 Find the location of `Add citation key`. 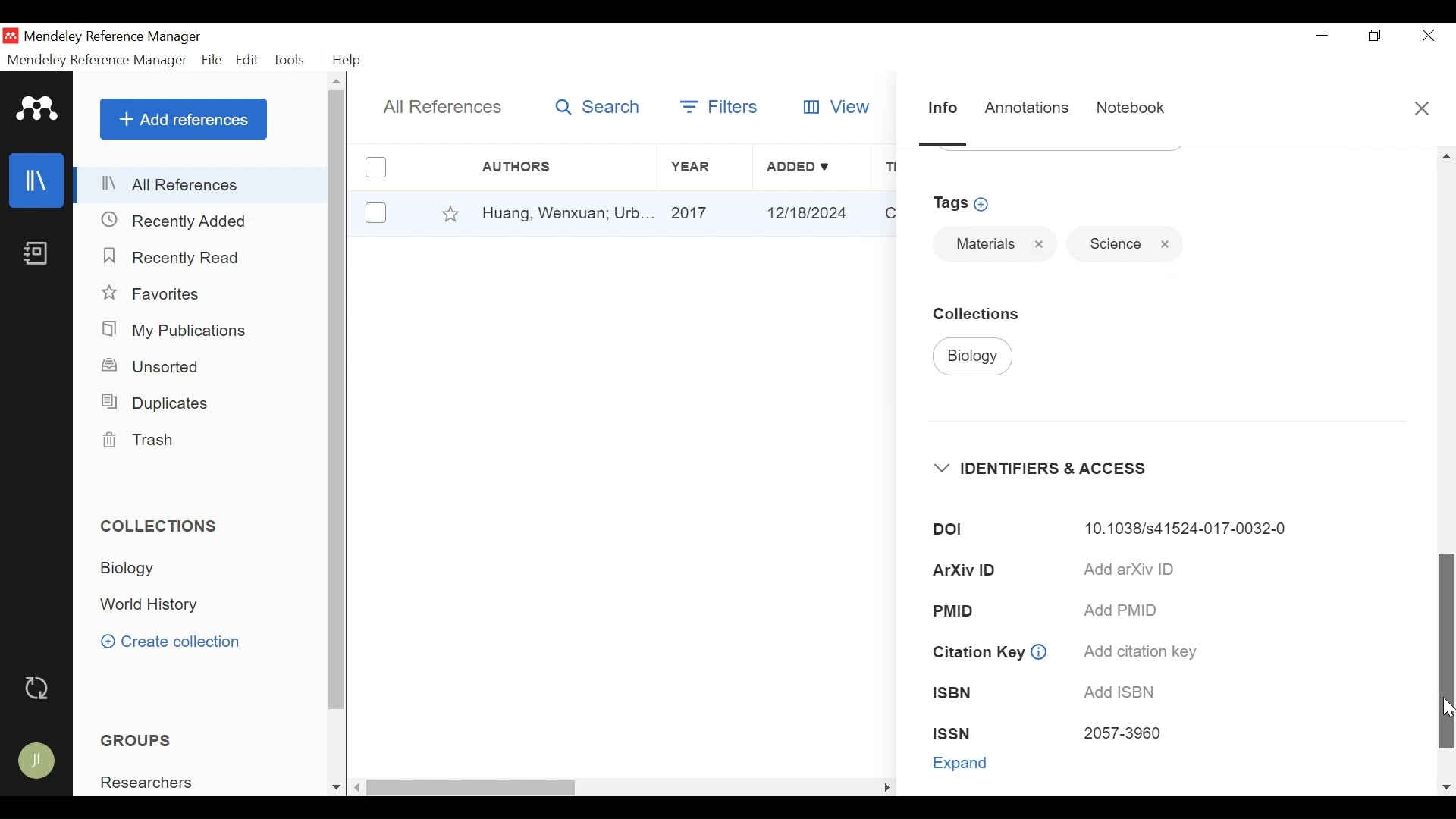

Add citation key is located at coordinates (1141, 651).